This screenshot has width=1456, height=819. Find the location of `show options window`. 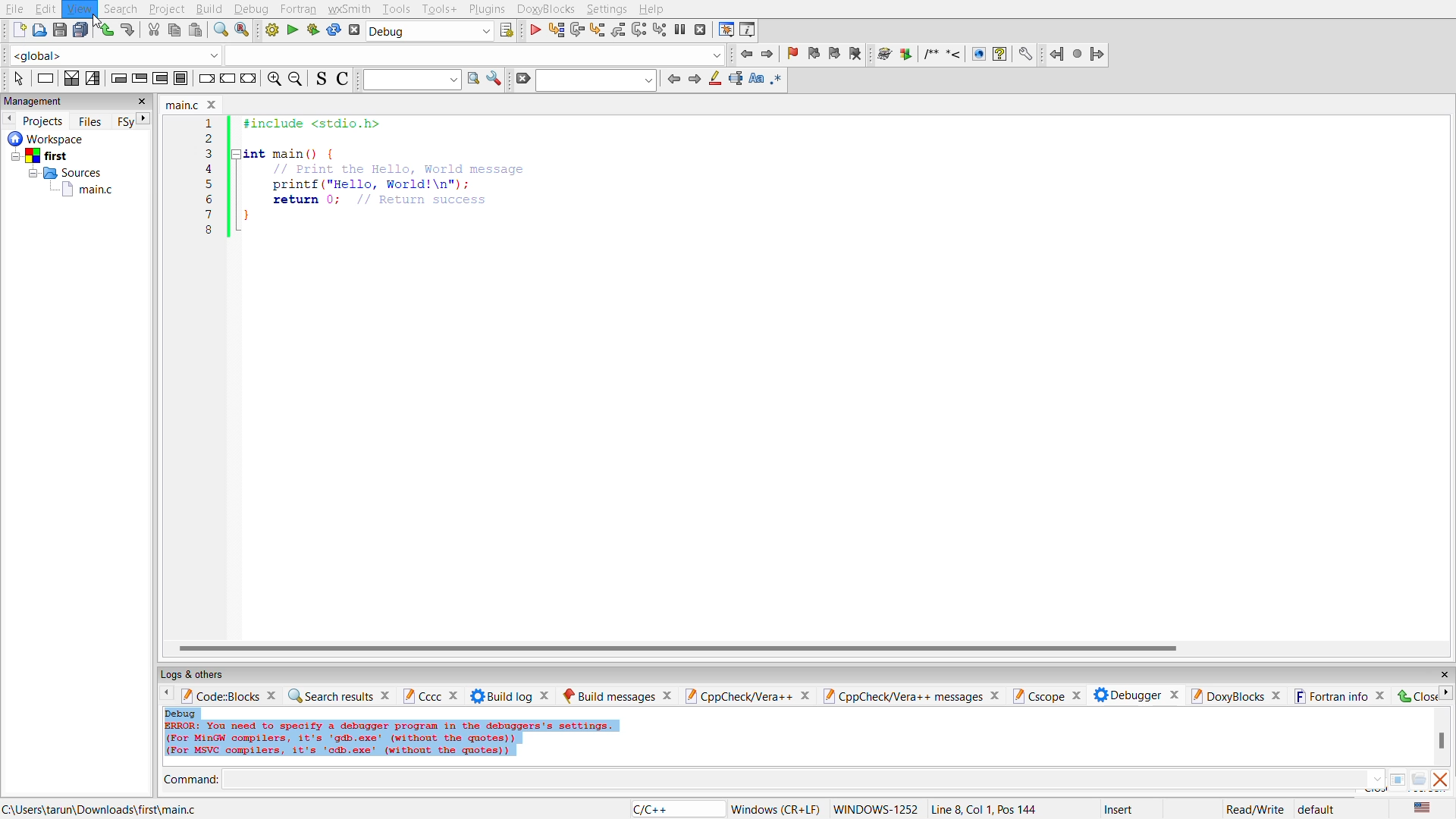

show options window is located at coordinates (495, 80).